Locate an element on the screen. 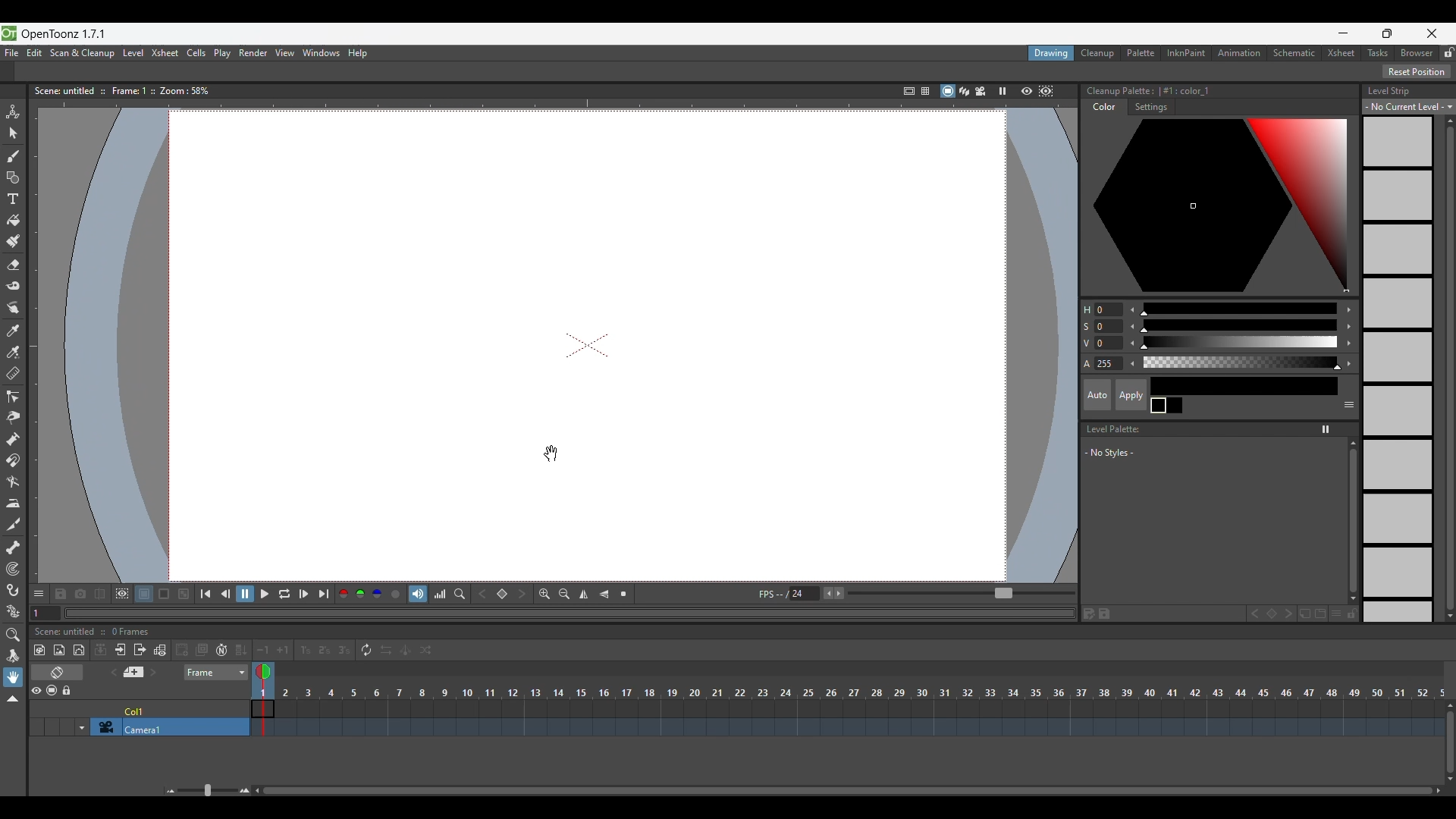  Close sub Xsheet is located at coordinates (140, 650).